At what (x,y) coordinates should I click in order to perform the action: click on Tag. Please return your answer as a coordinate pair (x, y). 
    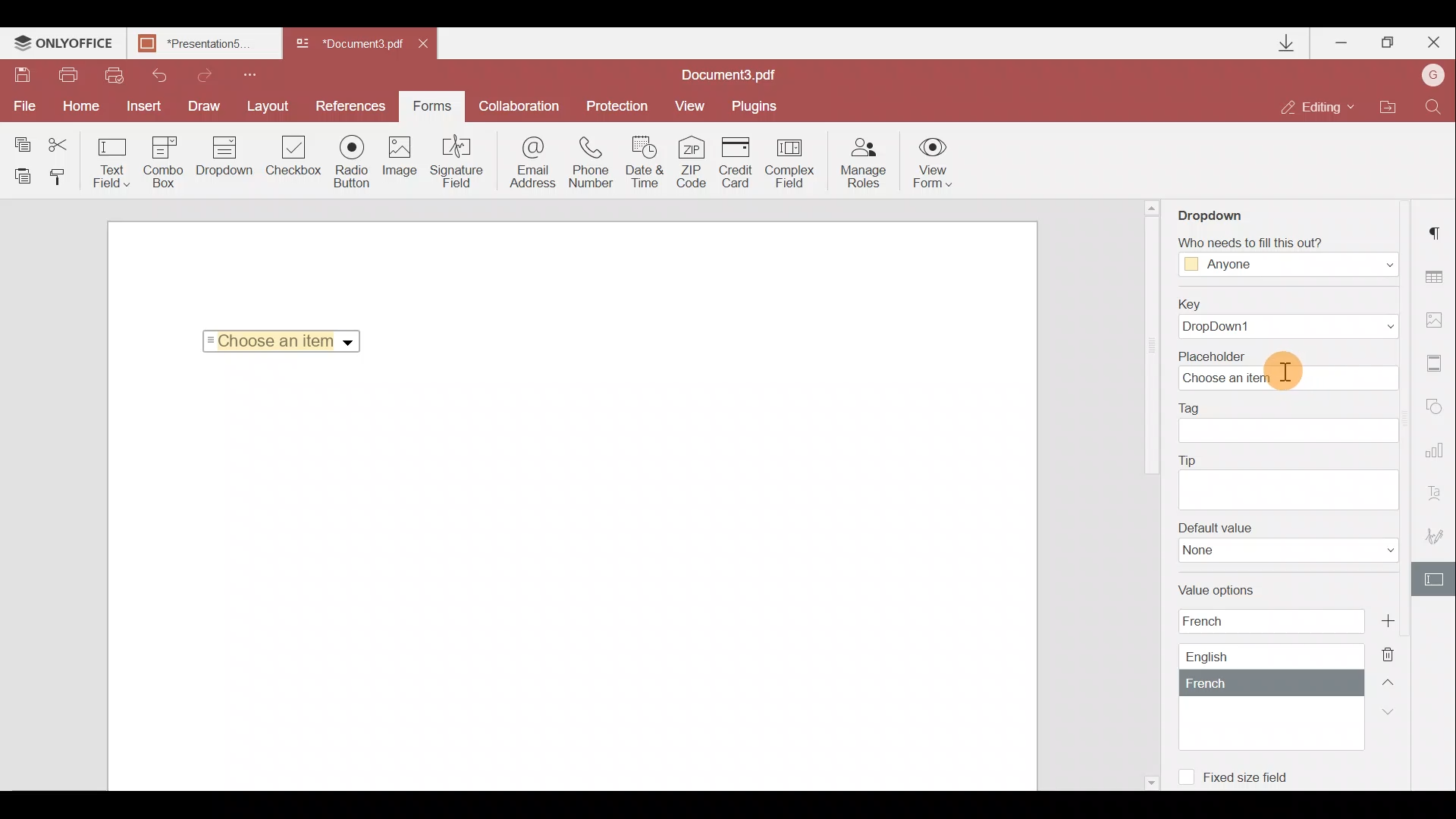
    Looking at the image, I should click on (1289, 422).